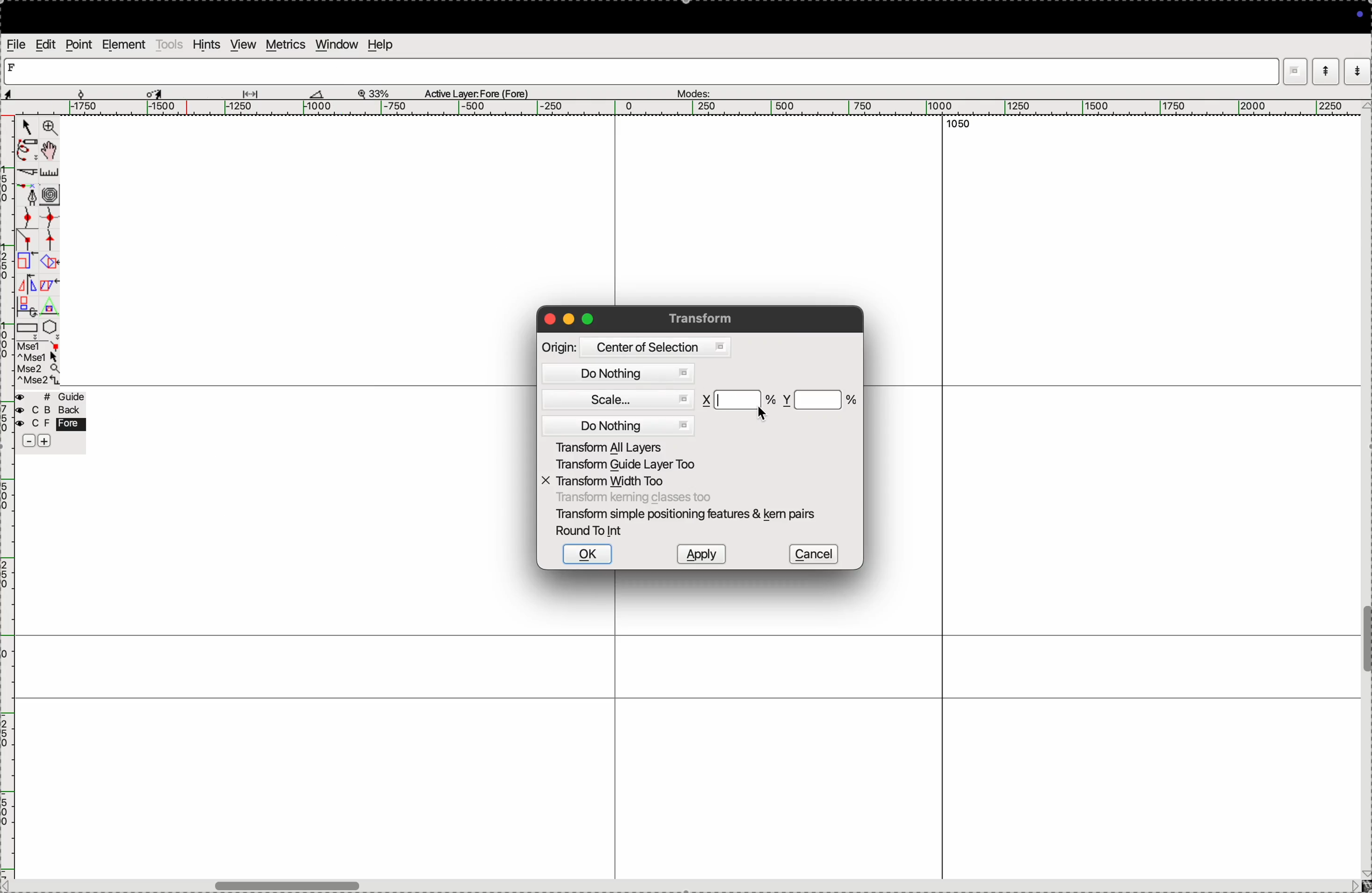 This screenshot has height=893, width=1372. What do you see at coordinates (708, 400) in the screenshot?
I see `x co-ordinate` at bounding box center [708, 400].